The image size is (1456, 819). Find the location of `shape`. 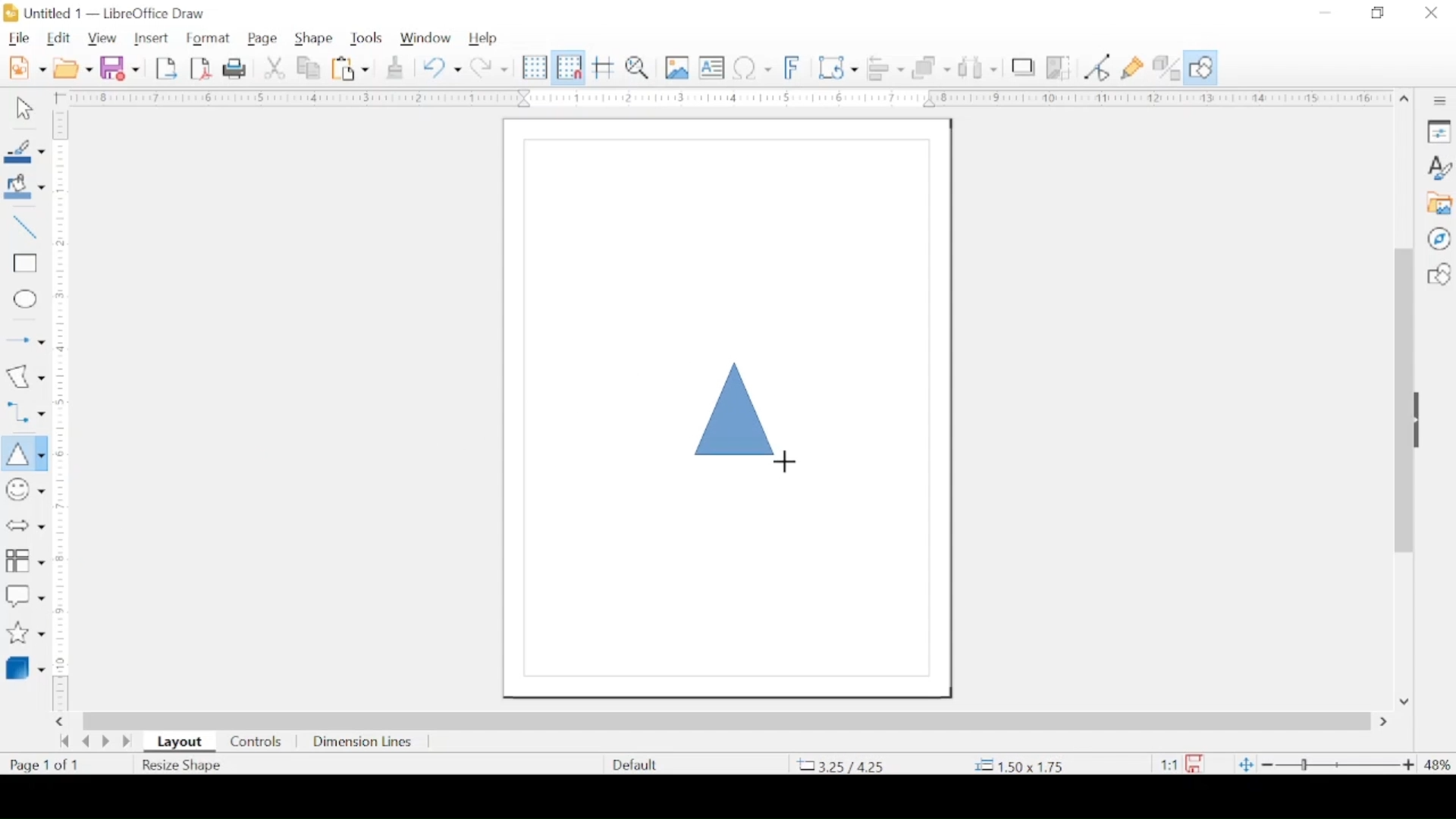

shape is located at coordinates (312, 36).